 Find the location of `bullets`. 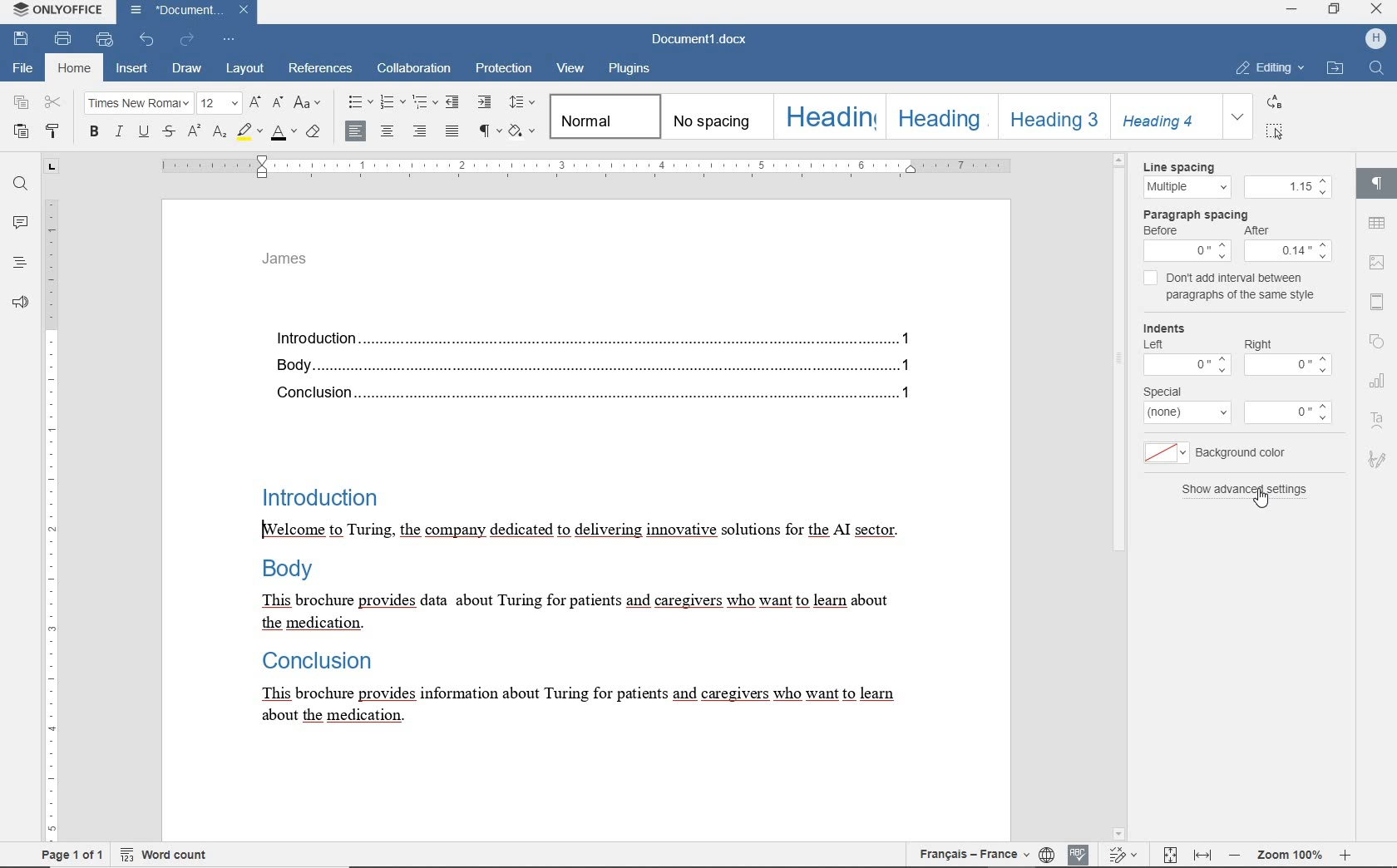

bullets is located at coordinates (360, 102).